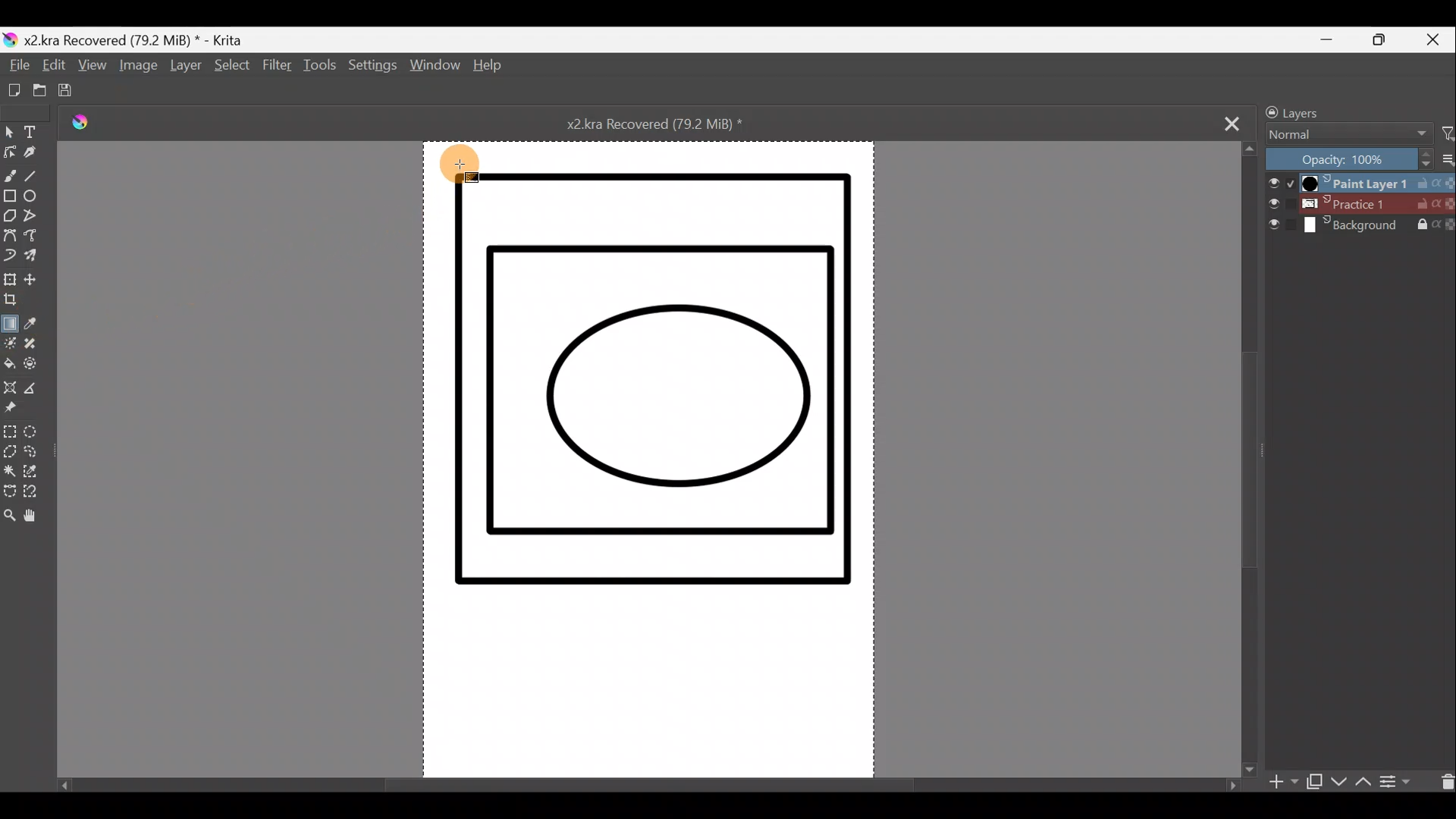 The image size is (1456, 819). Describe the element at coordinates (230, 66) in the screenshot. I see `Select` at that location.